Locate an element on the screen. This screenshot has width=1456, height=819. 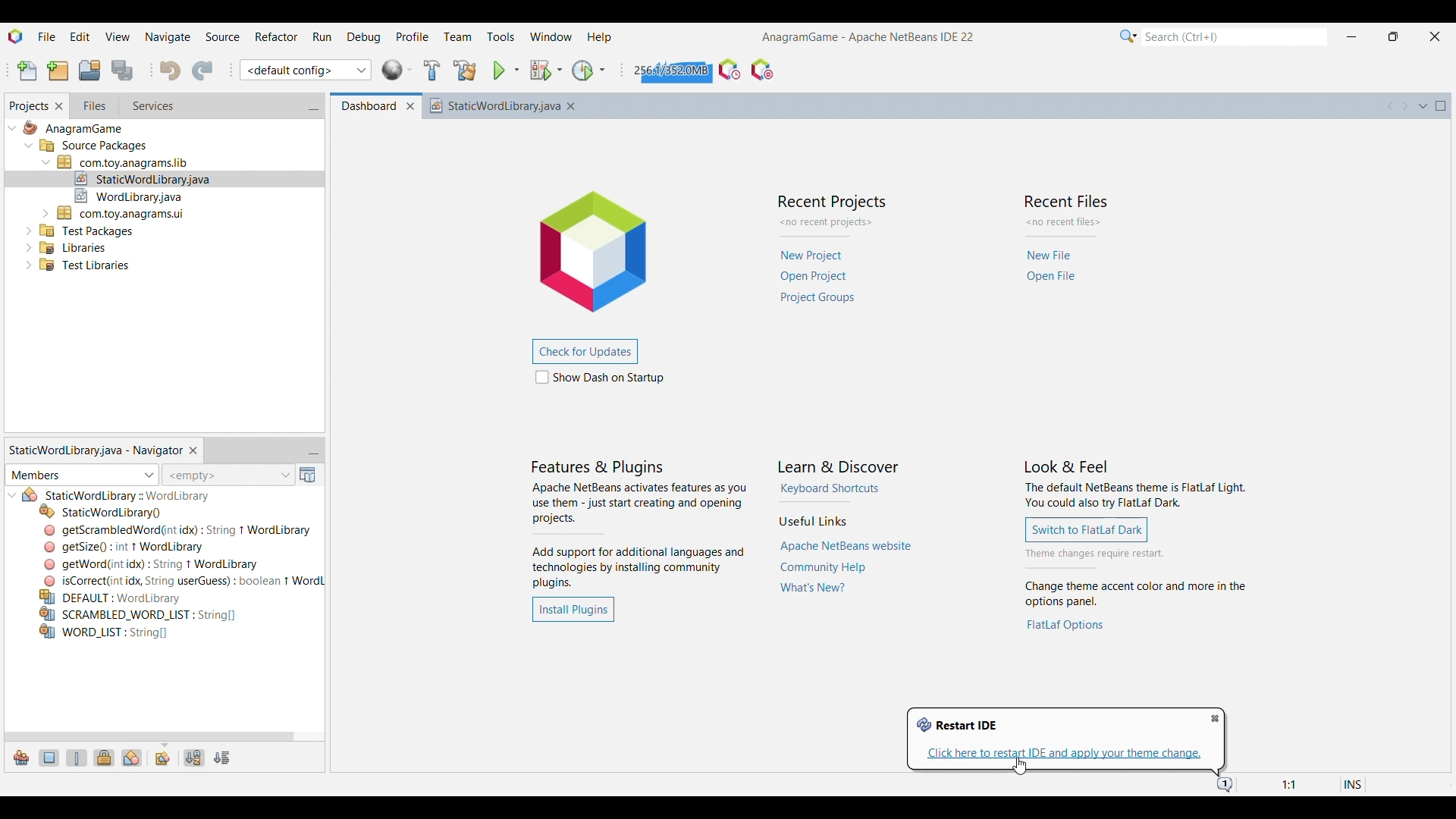
Click to collapse current file is located at coordinates (13, 495).